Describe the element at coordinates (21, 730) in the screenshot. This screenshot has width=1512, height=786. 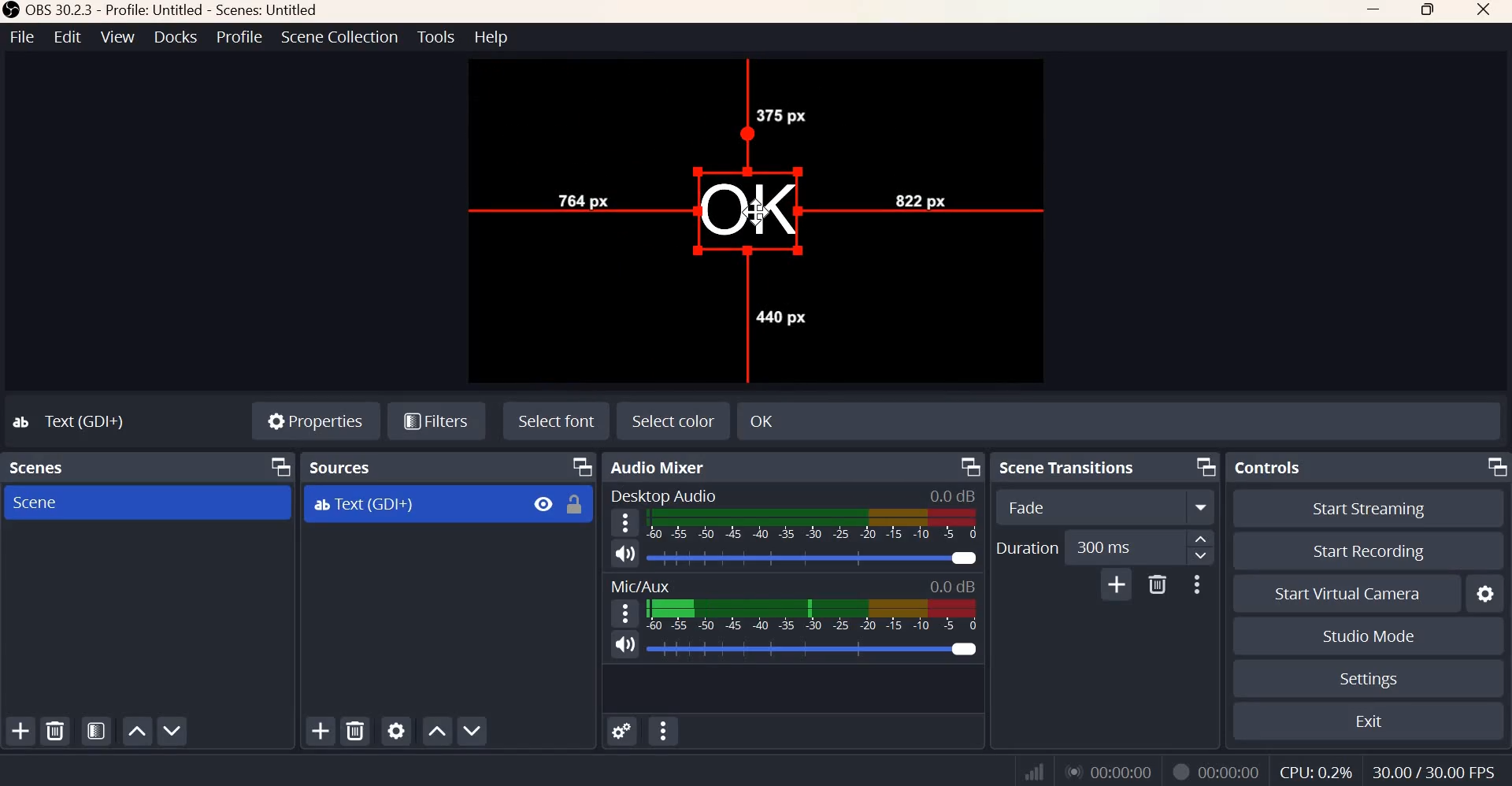
I see `Add scene` at that location.